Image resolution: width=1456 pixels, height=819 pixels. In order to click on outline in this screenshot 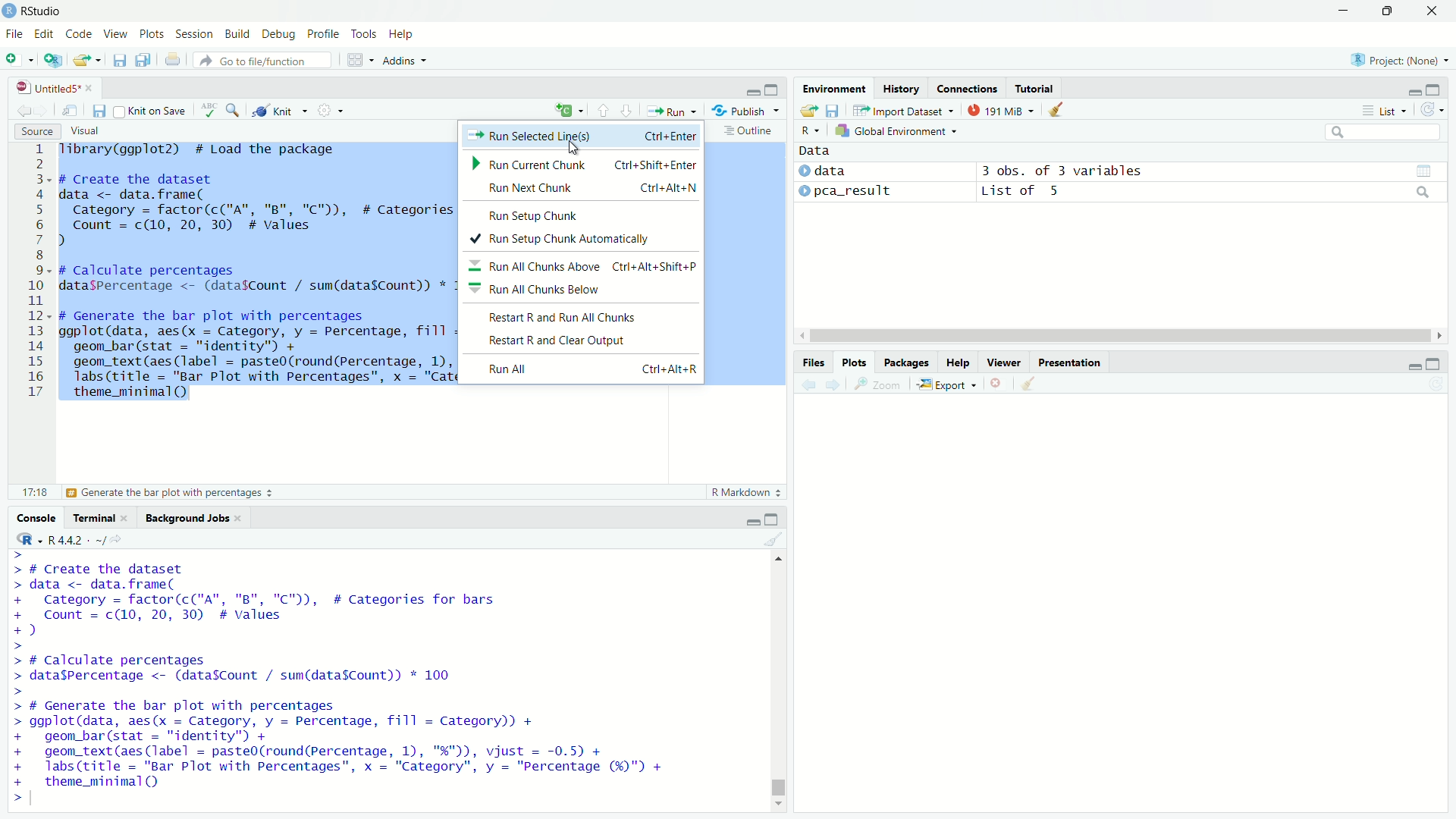, I will do `click(748, 133)`.